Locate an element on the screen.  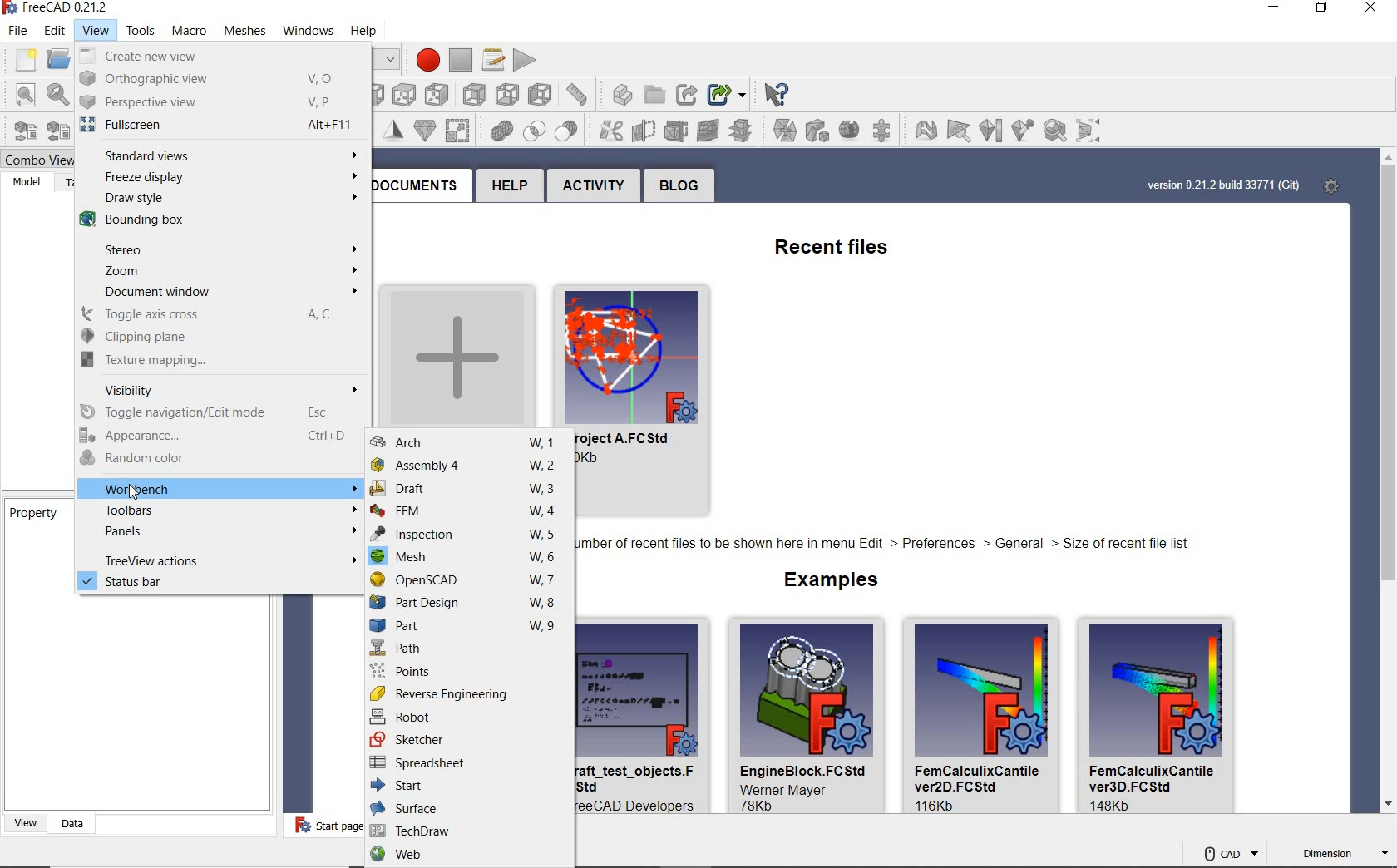
part design is located at coordinates (466, 603).